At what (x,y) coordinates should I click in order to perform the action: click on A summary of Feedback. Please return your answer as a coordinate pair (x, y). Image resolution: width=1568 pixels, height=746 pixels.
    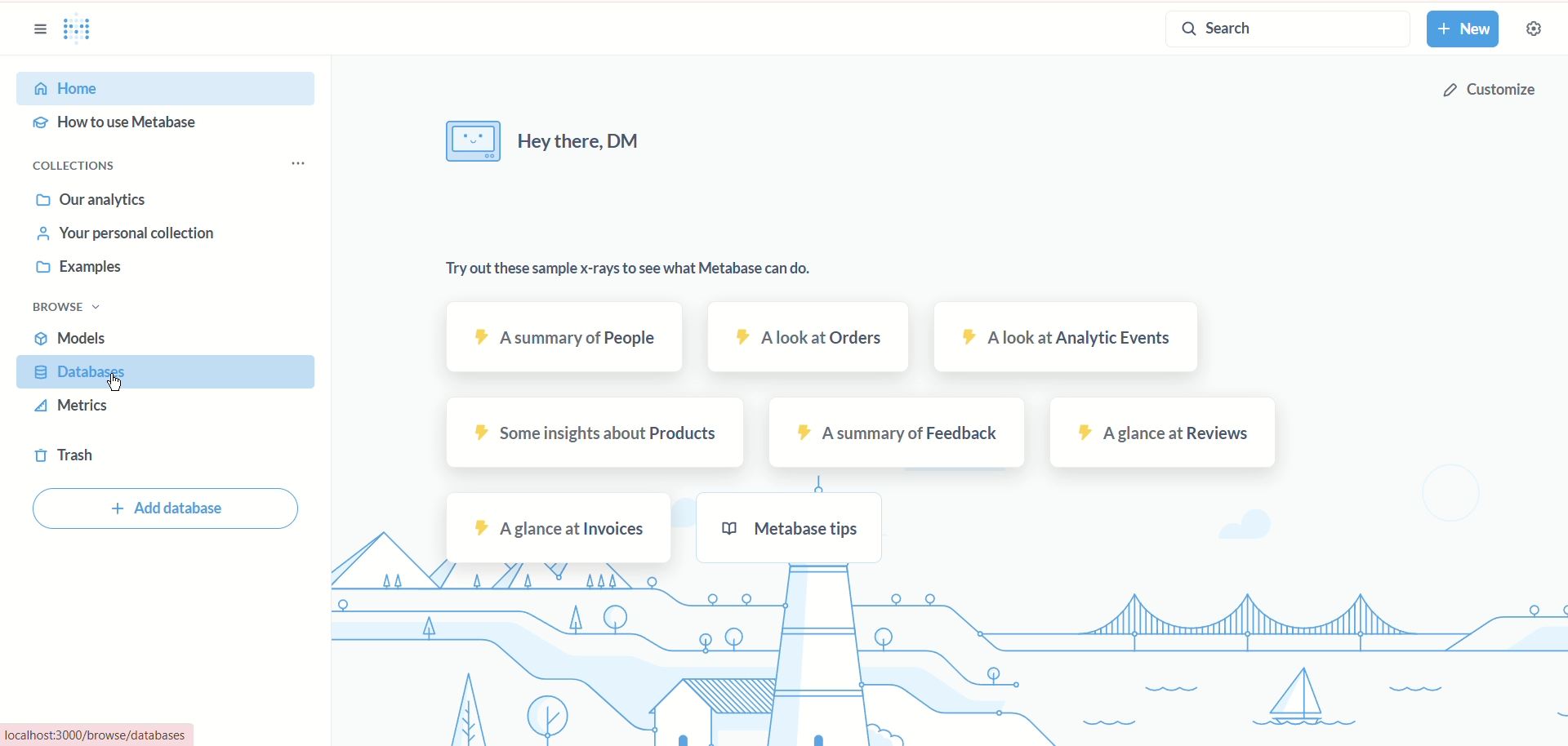
    Looking at the image, I should click on (895, 433).